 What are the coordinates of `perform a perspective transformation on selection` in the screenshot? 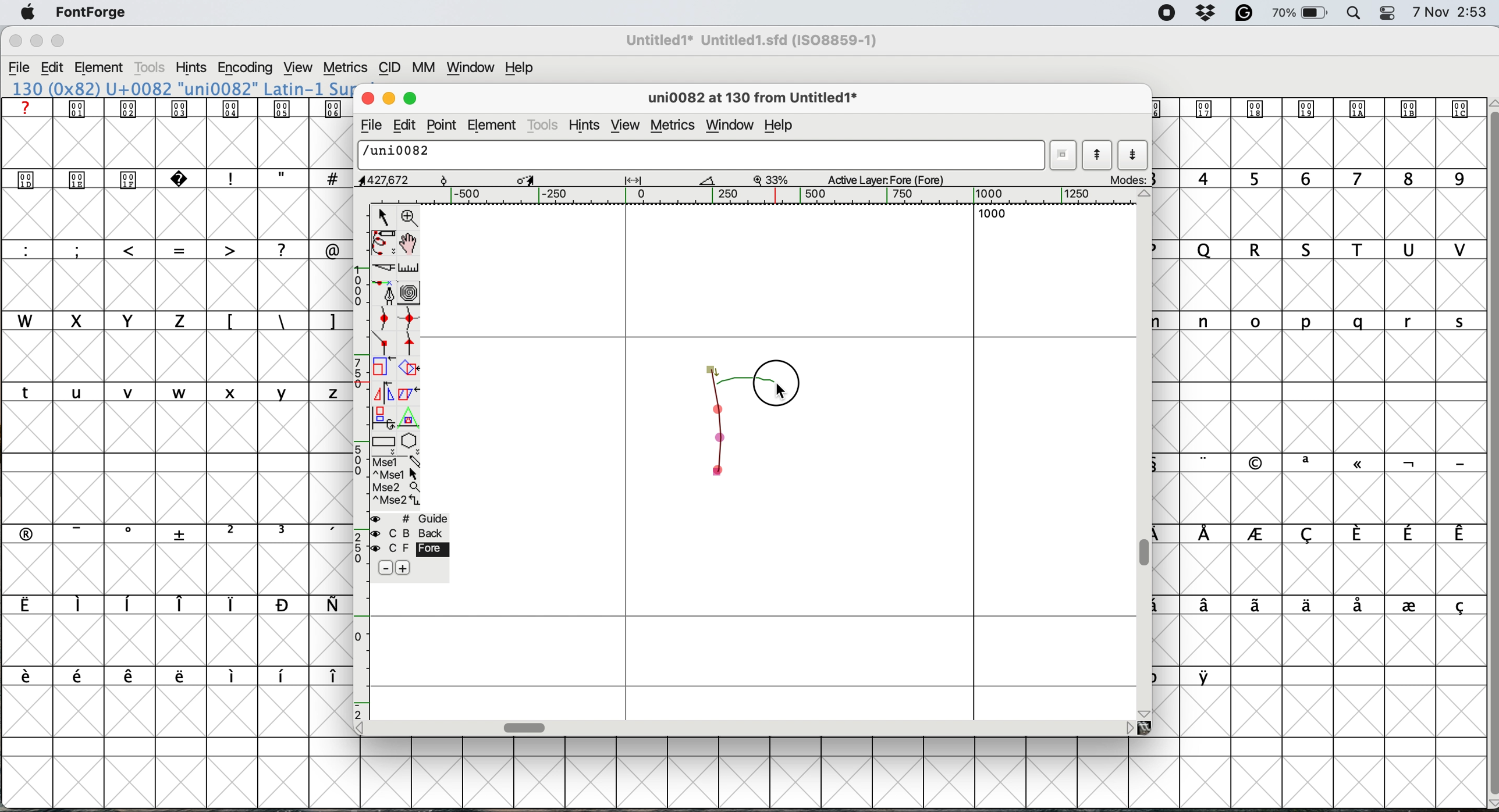 It's located at (411, 421).